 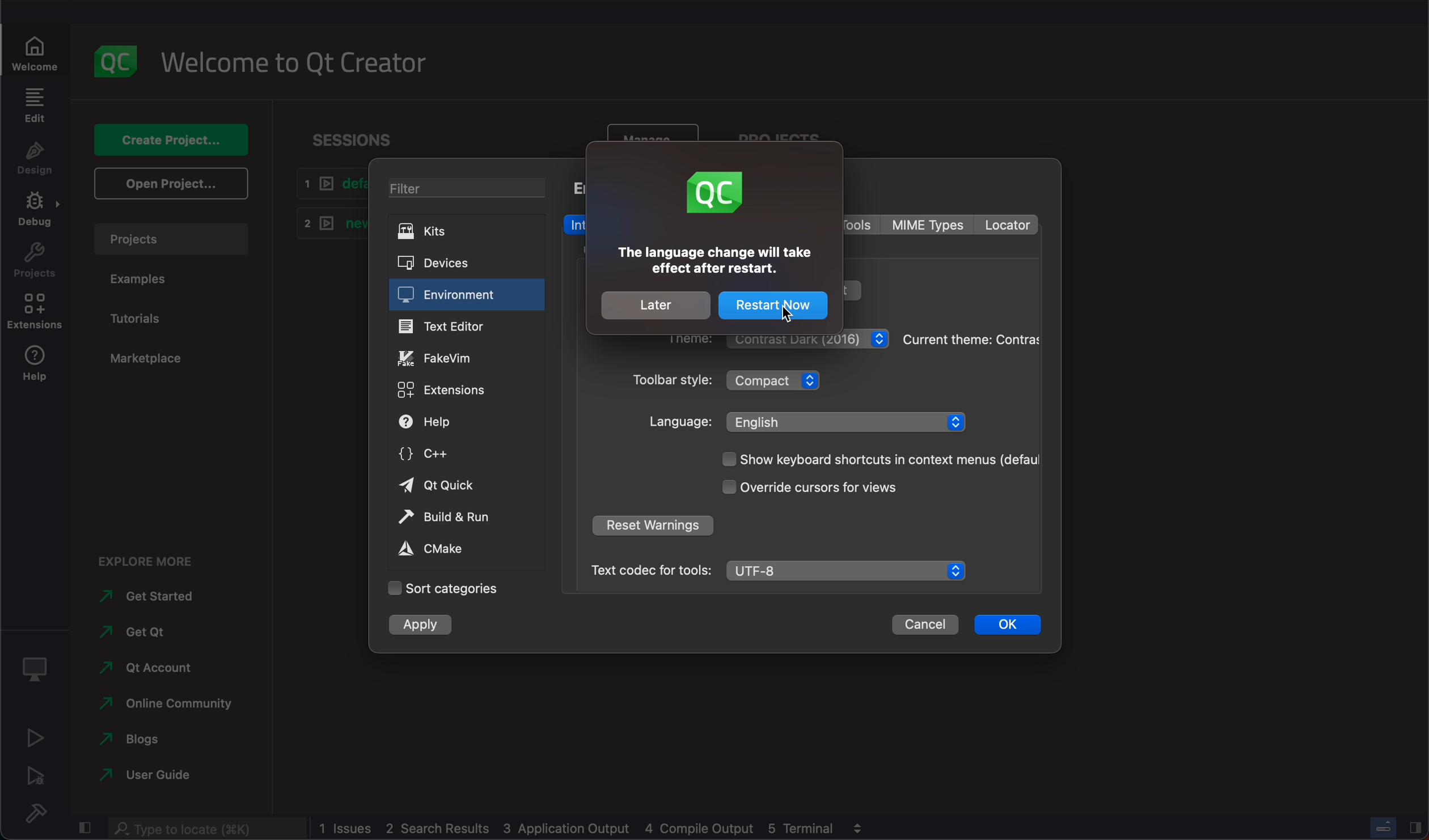 What do you see at coordinates (684, 342) in the screenshot?
I see `theme` at bounding box center [684, 342].